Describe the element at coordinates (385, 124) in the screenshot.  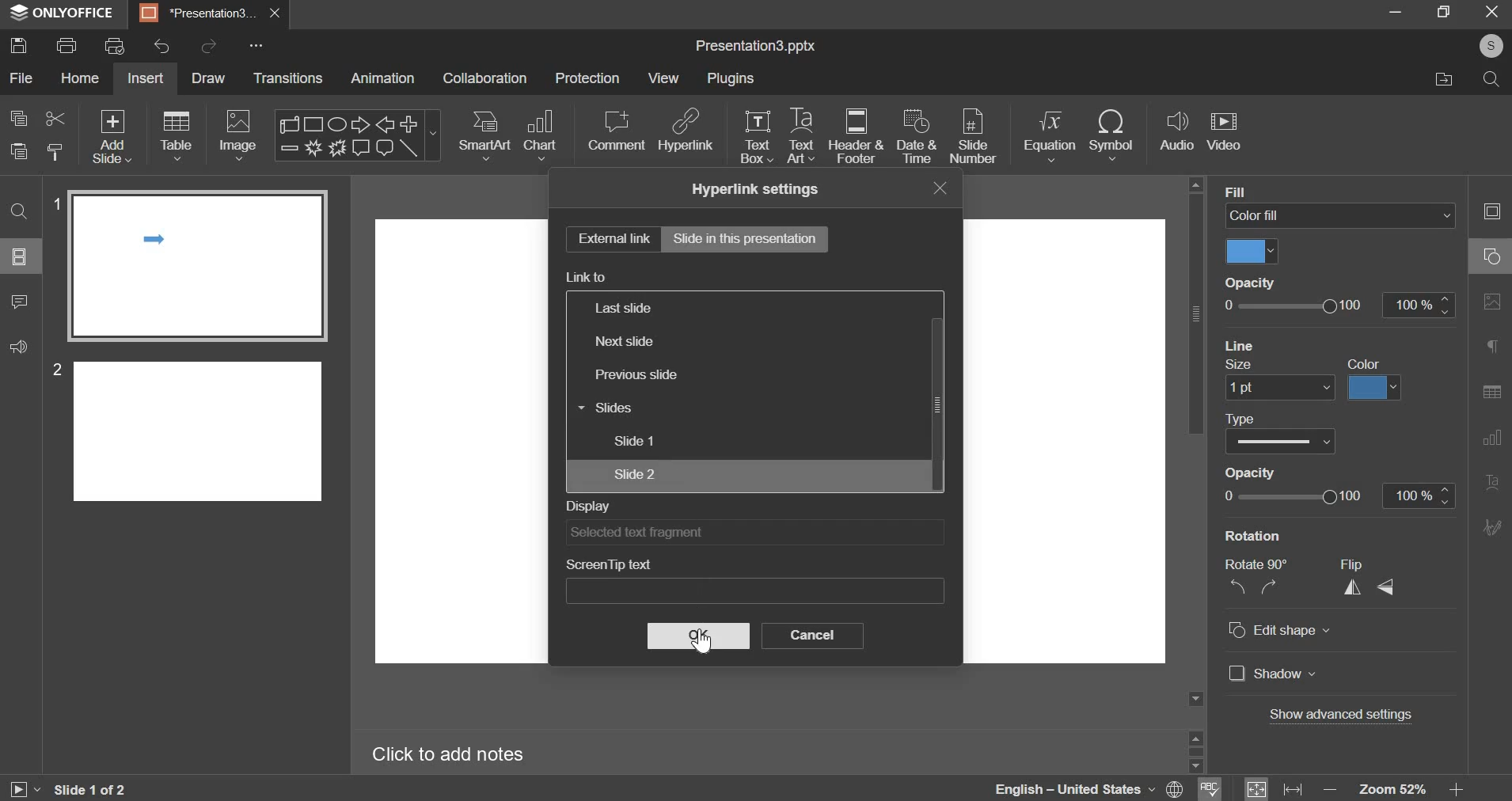
I see `left arrow` at that location.